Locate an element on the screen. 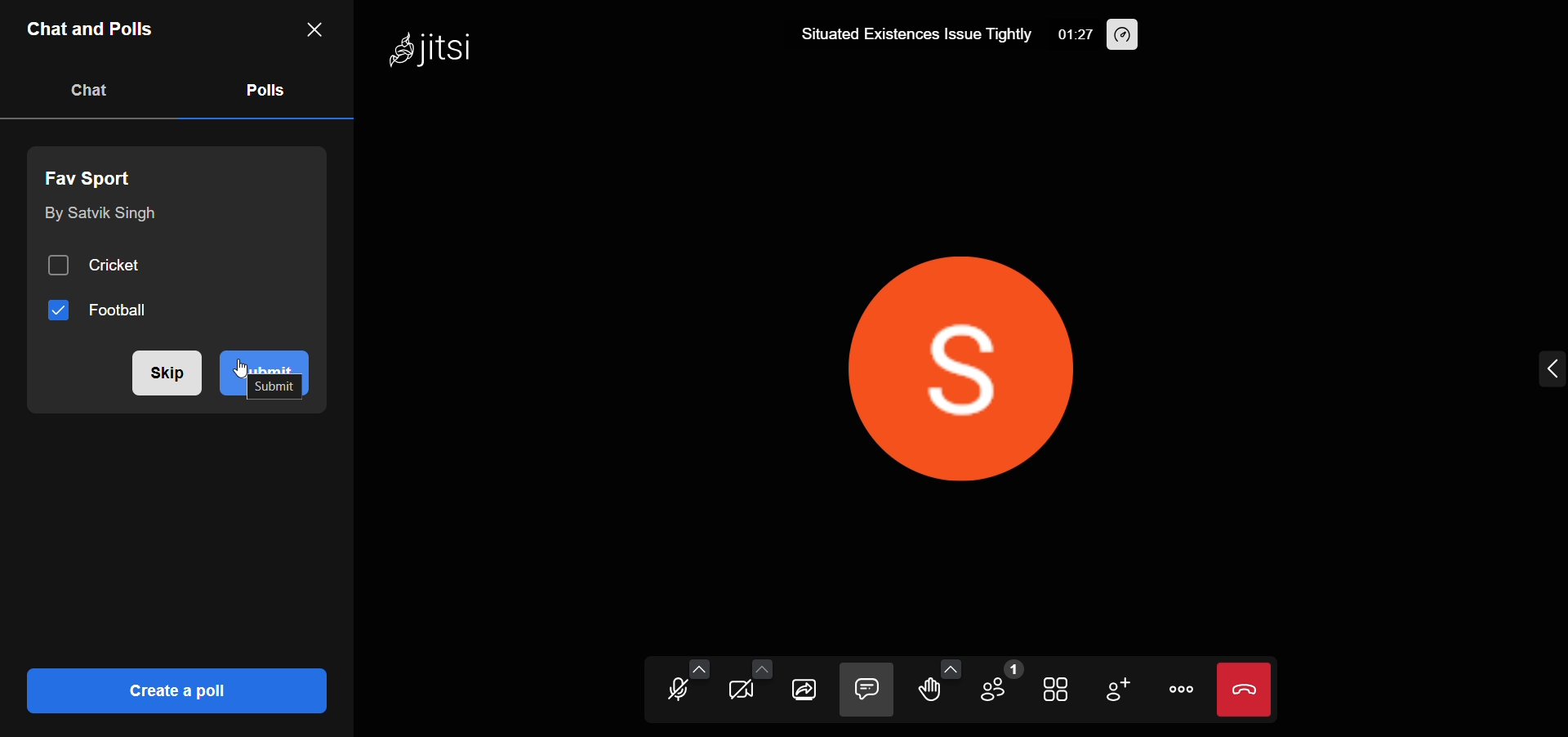 This screenshot has width=1568, height=737. active submit button is located at coordinates (266, 373).